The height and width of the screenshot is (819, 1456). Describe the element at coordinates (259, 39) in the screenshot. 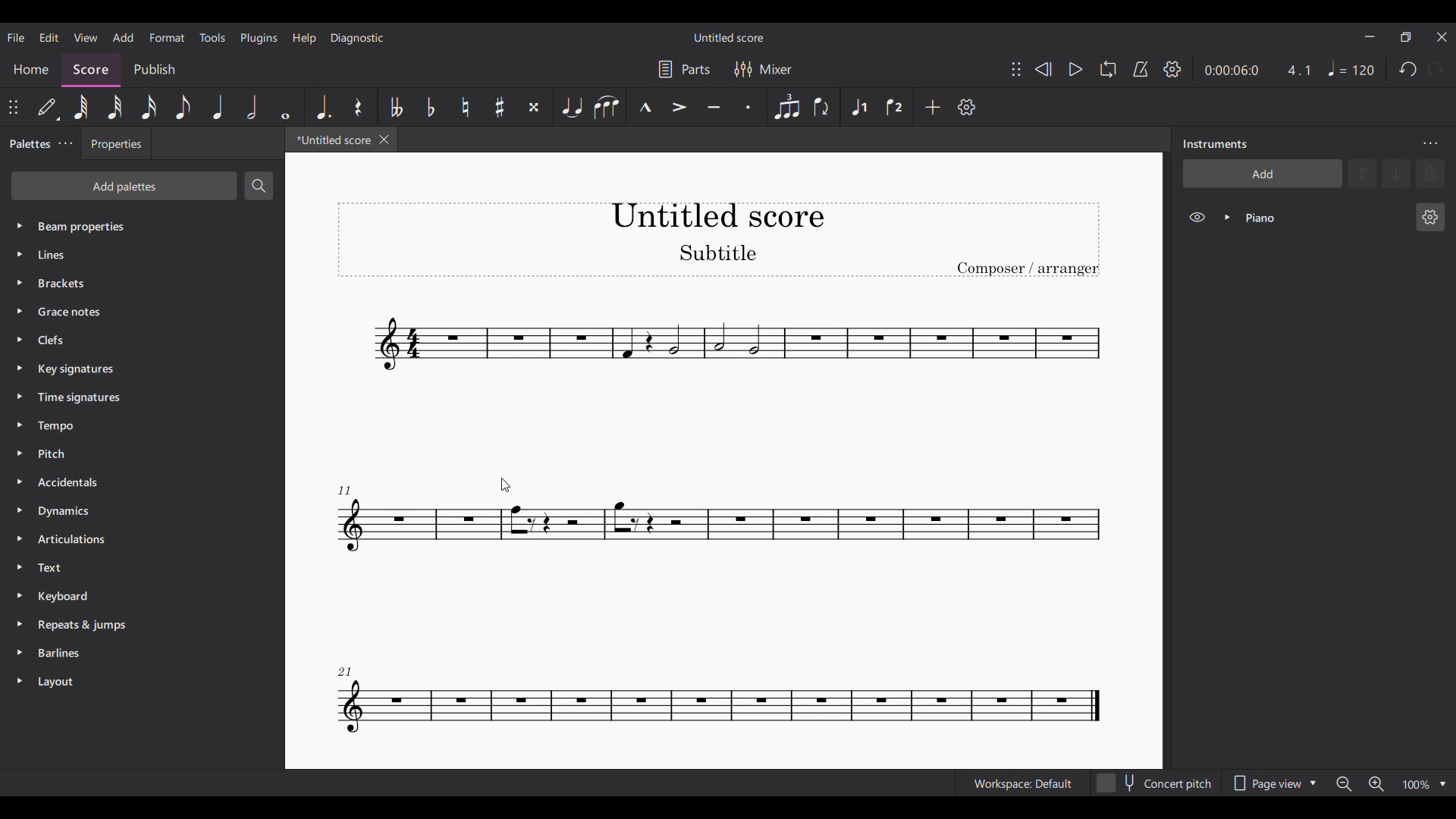

I see `Plugins menu` at that location.